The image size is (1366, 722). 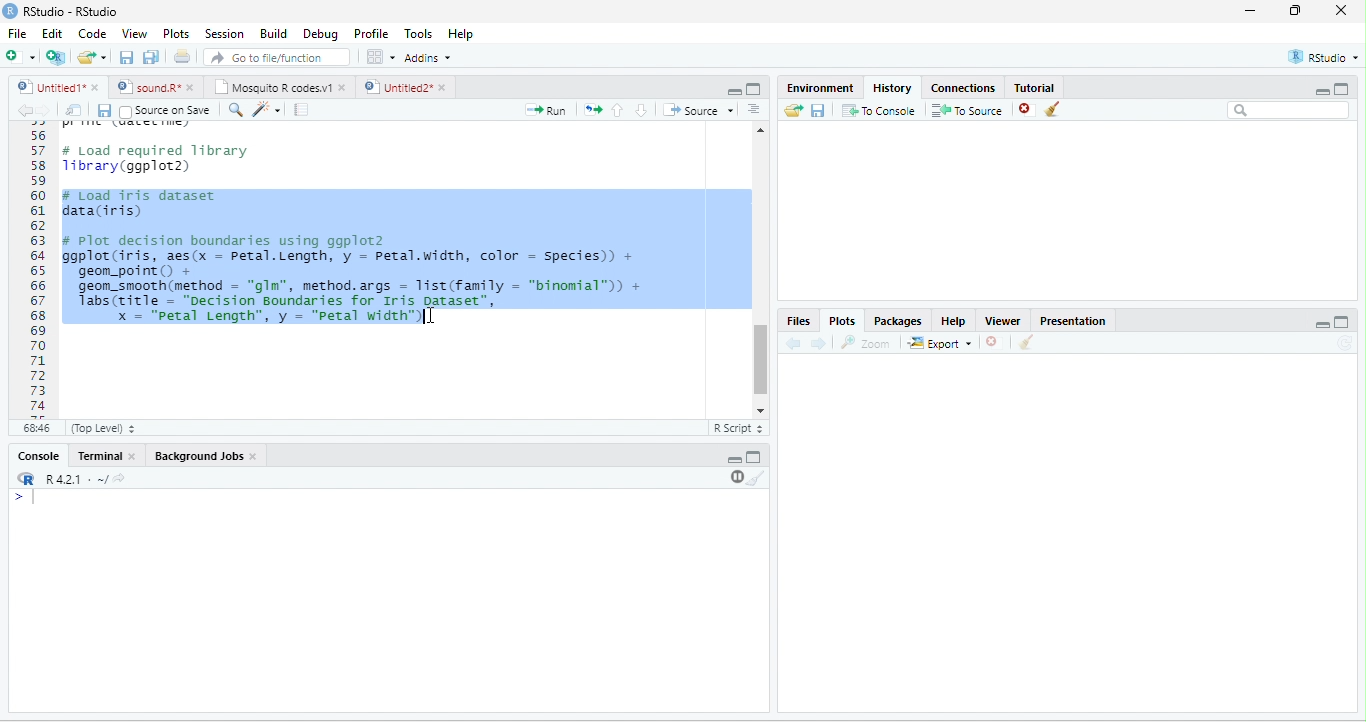 I want to click on start typing, so click(x=28, y=498).